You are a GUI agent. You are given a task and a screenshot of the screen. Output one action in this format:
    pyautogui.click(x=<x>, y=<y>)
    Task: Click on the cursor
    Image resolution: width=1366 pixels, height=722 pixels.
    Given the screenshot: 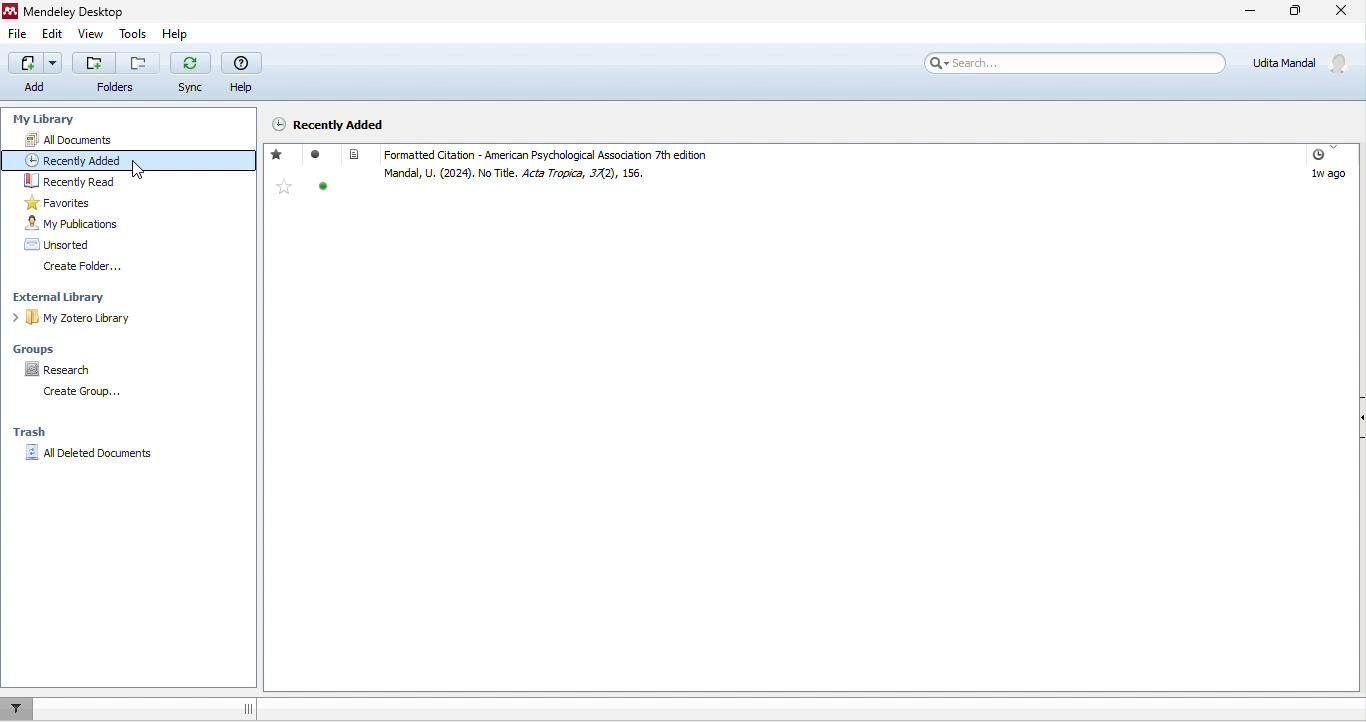 What is the action you would take?
    pyautogui.click(x=139, y=171)
    